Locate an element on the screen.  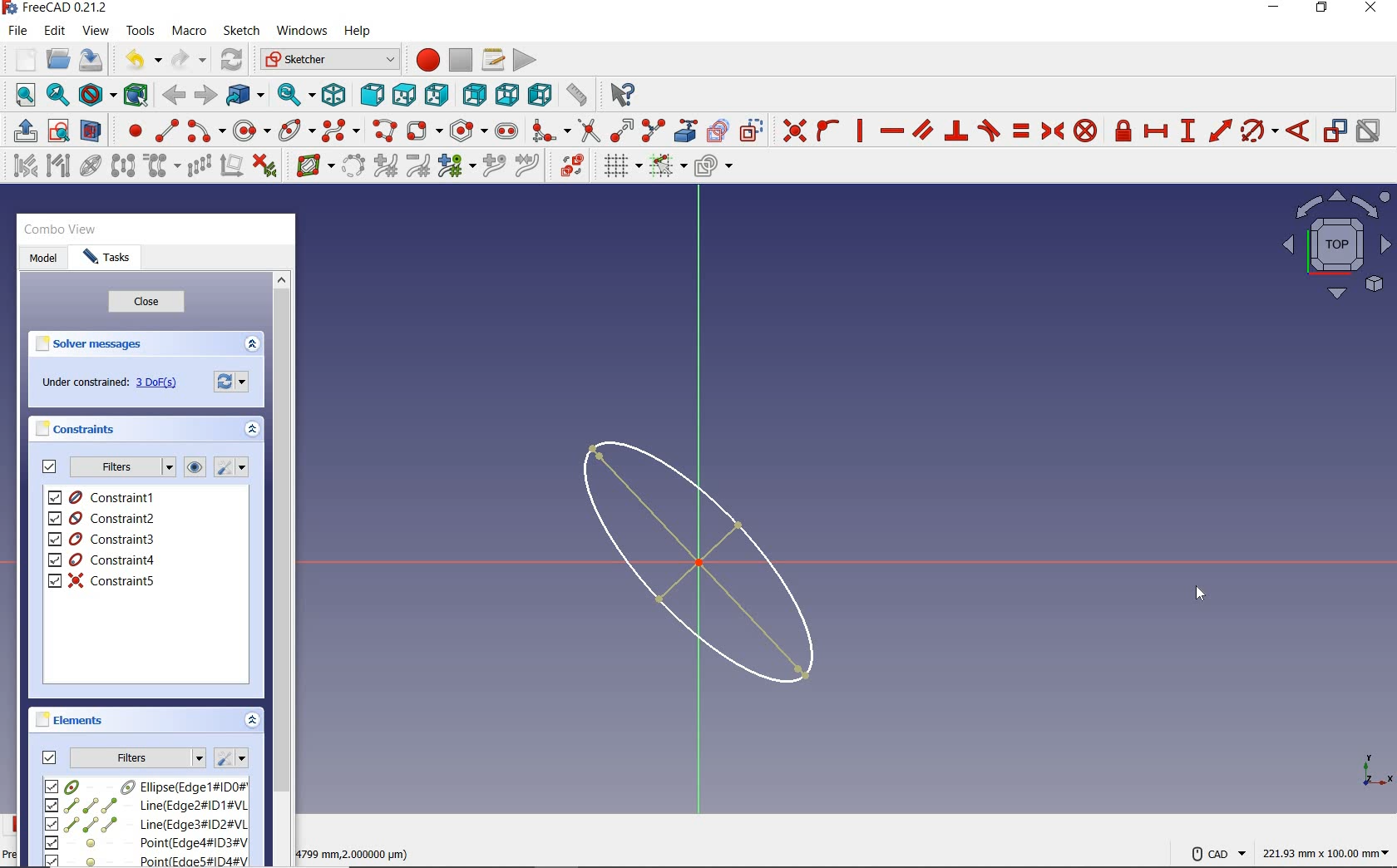
toggle construction geometry is located at coordinates (752, 130).